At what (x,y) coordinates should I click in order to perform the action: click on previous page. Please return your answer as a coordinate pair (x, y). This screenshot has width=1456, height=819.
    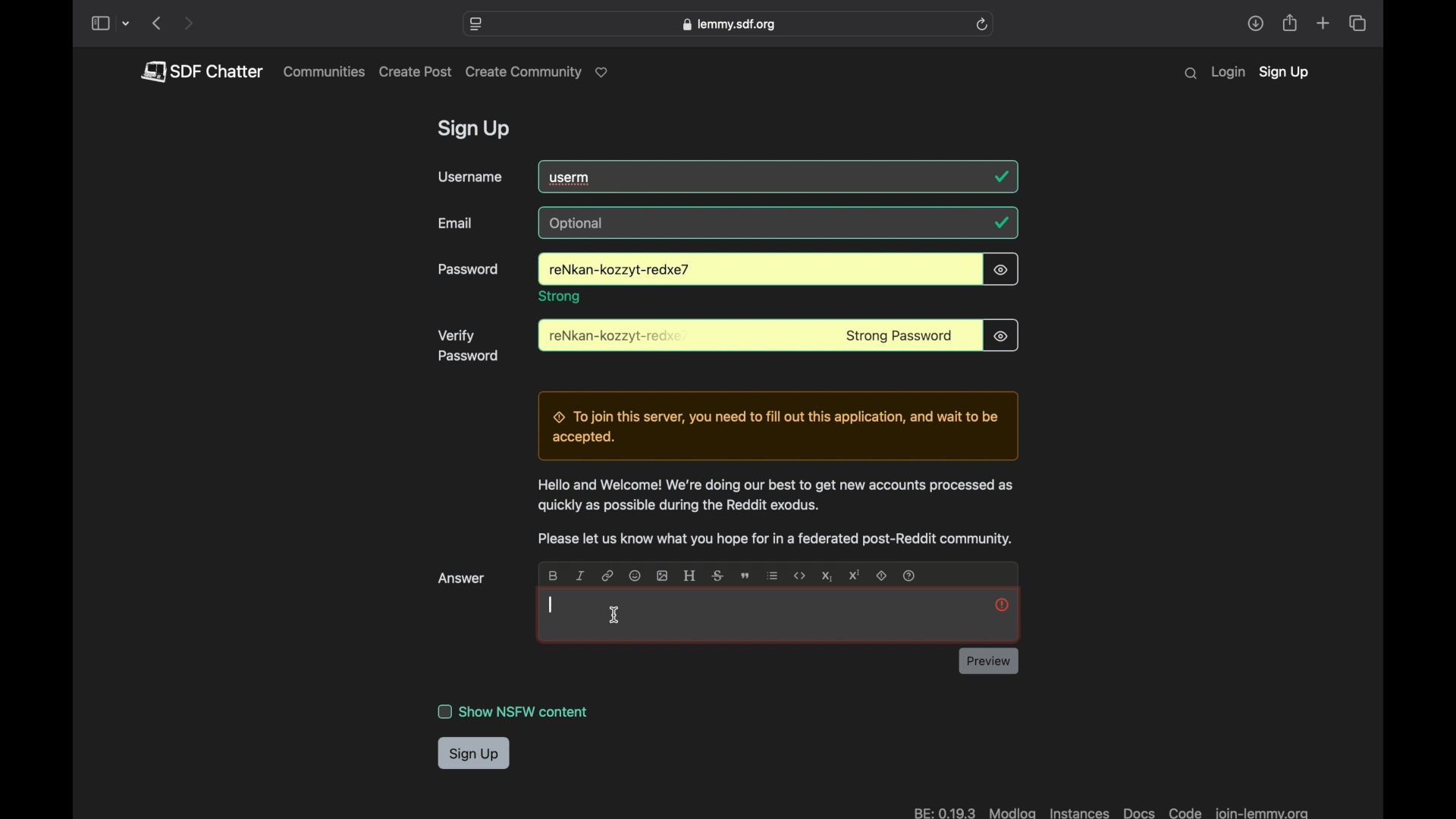
    Looking at the image, I should click on (156, 23).